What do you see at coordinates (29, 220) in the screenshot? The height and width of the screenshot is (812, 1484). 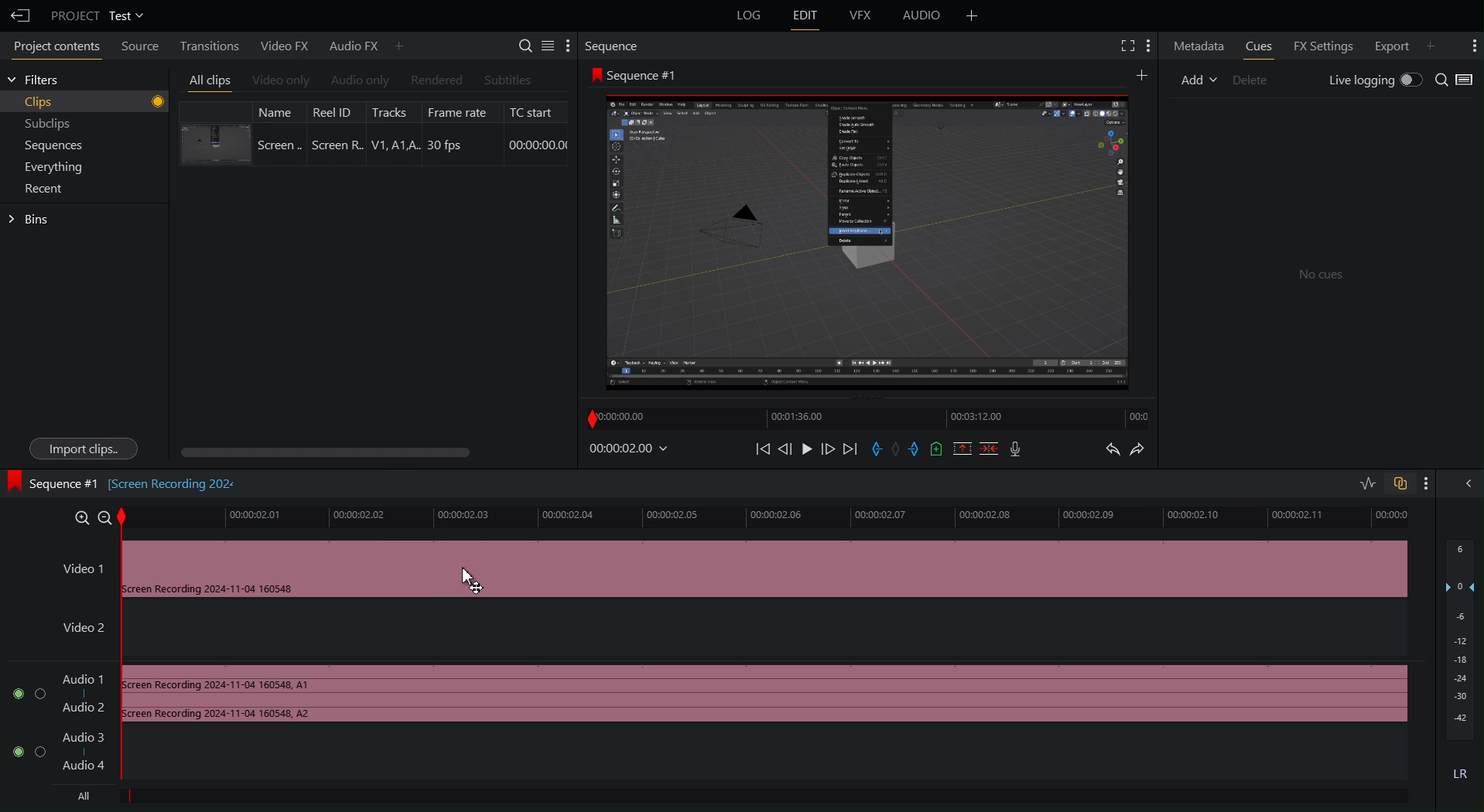 I see `Bins` at bounding box center [29, 220].